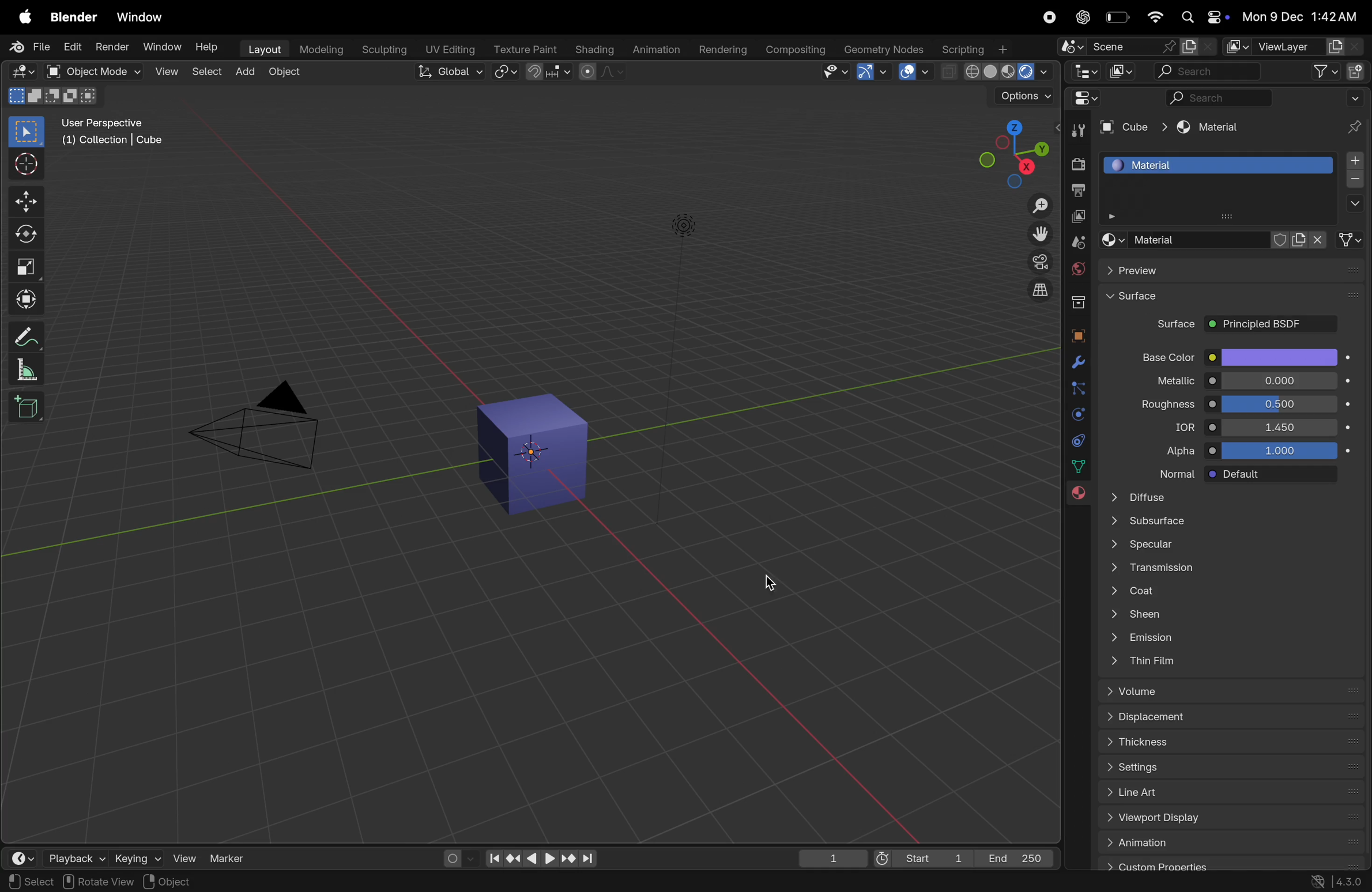 The width and height of the screenshot is (1372, 892). Describe the element at coordinates (1199, 237) in the screenshot. I see `matrial` at that location.